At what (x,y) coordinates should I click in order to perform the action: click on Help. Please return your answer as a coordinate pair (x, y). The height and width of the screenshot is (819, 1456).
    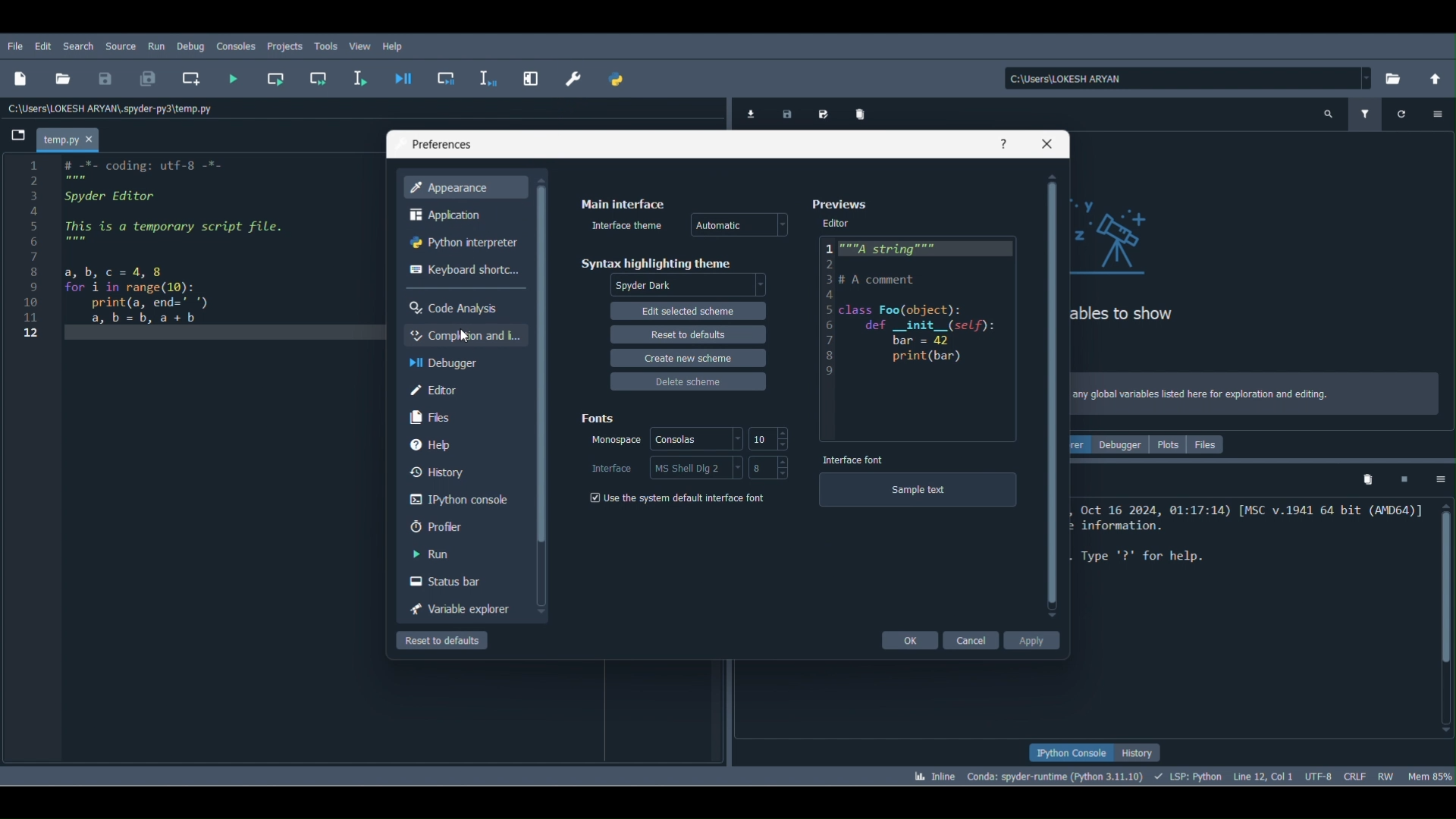
    Looking at the image, I should click on (1006, 141).